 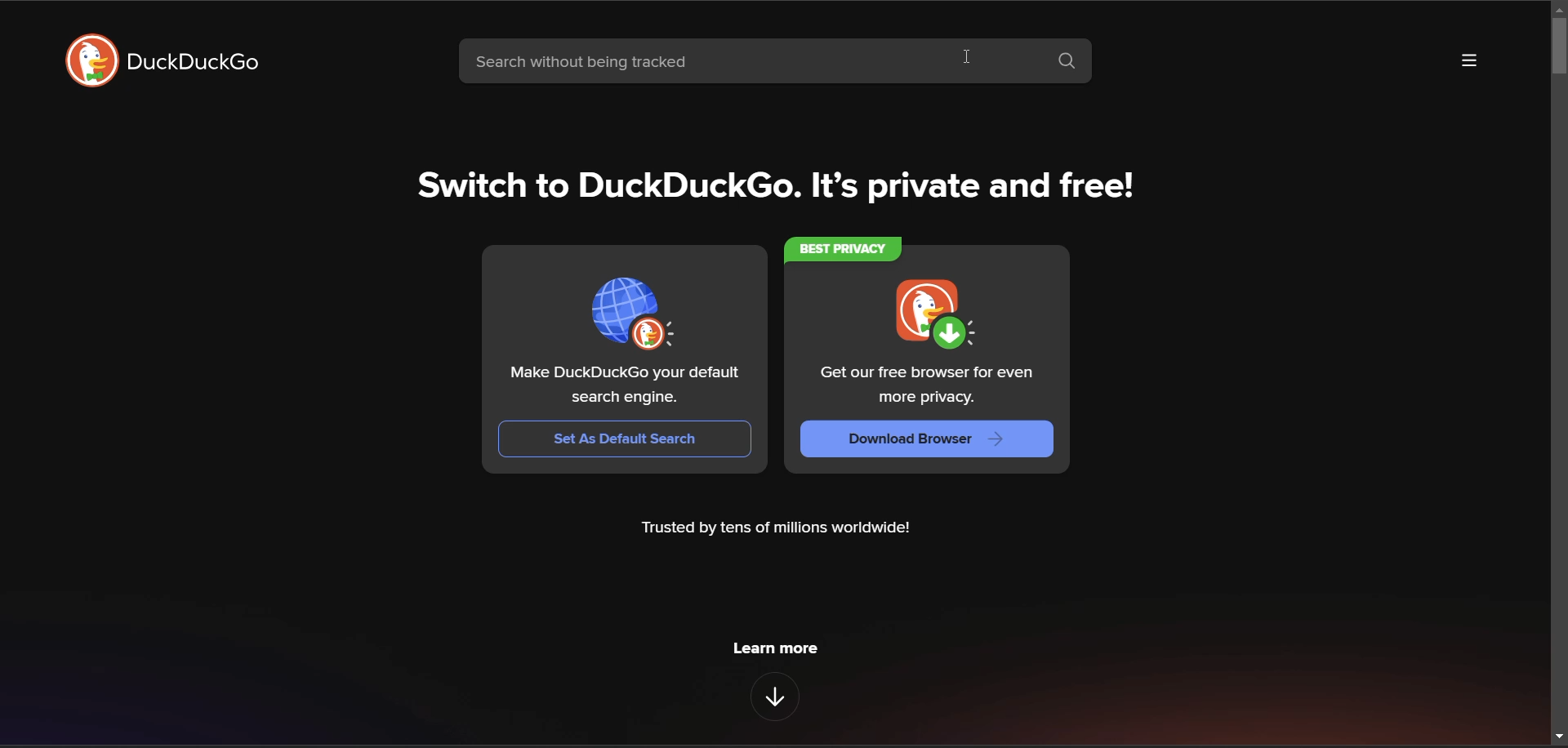 I want to click on vertical scroll bar, so click(x=1558, y=377).